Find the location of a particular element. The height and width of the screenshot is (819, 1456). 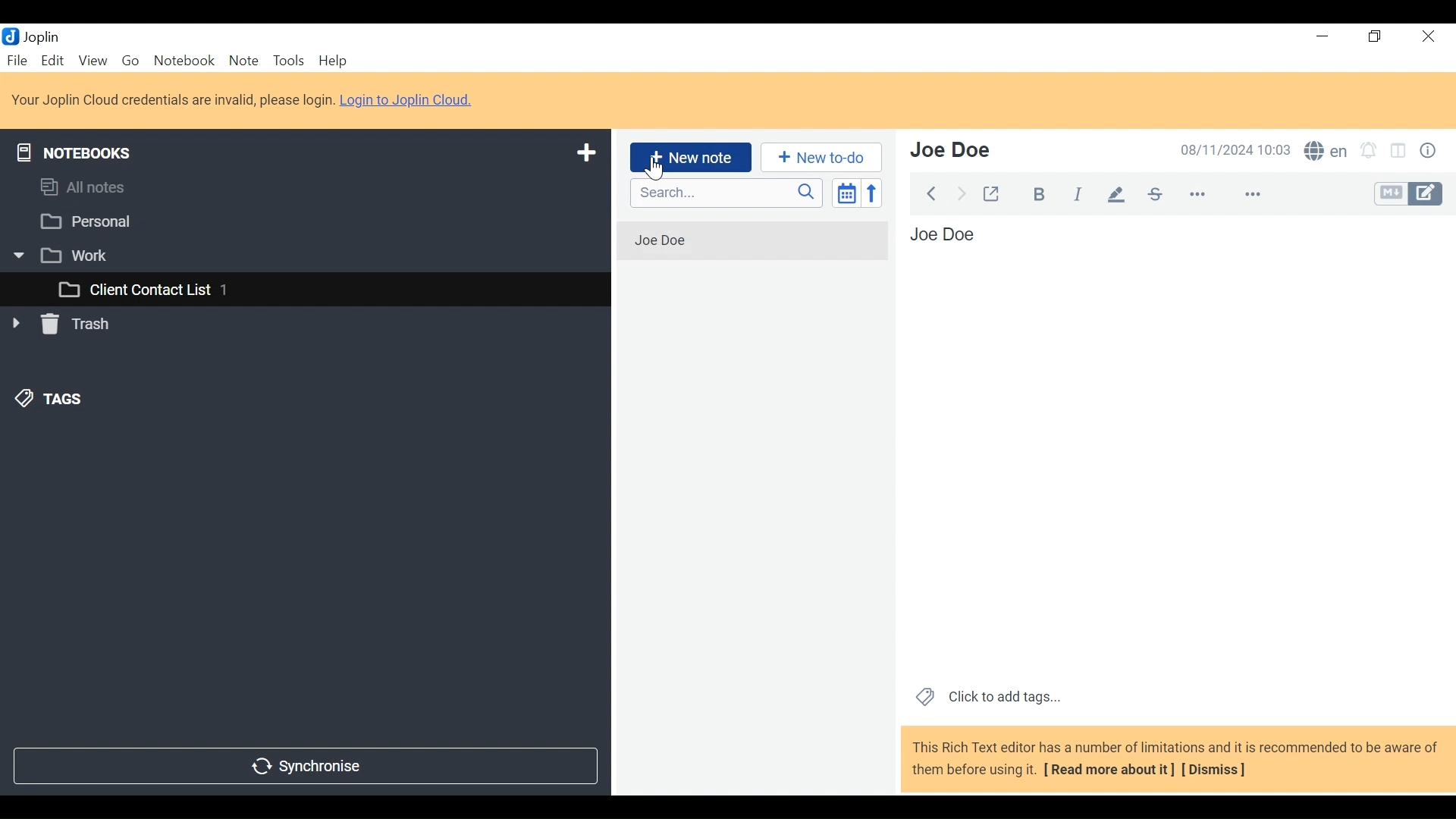

Strikethrough is located at coordinates (1155, 194).